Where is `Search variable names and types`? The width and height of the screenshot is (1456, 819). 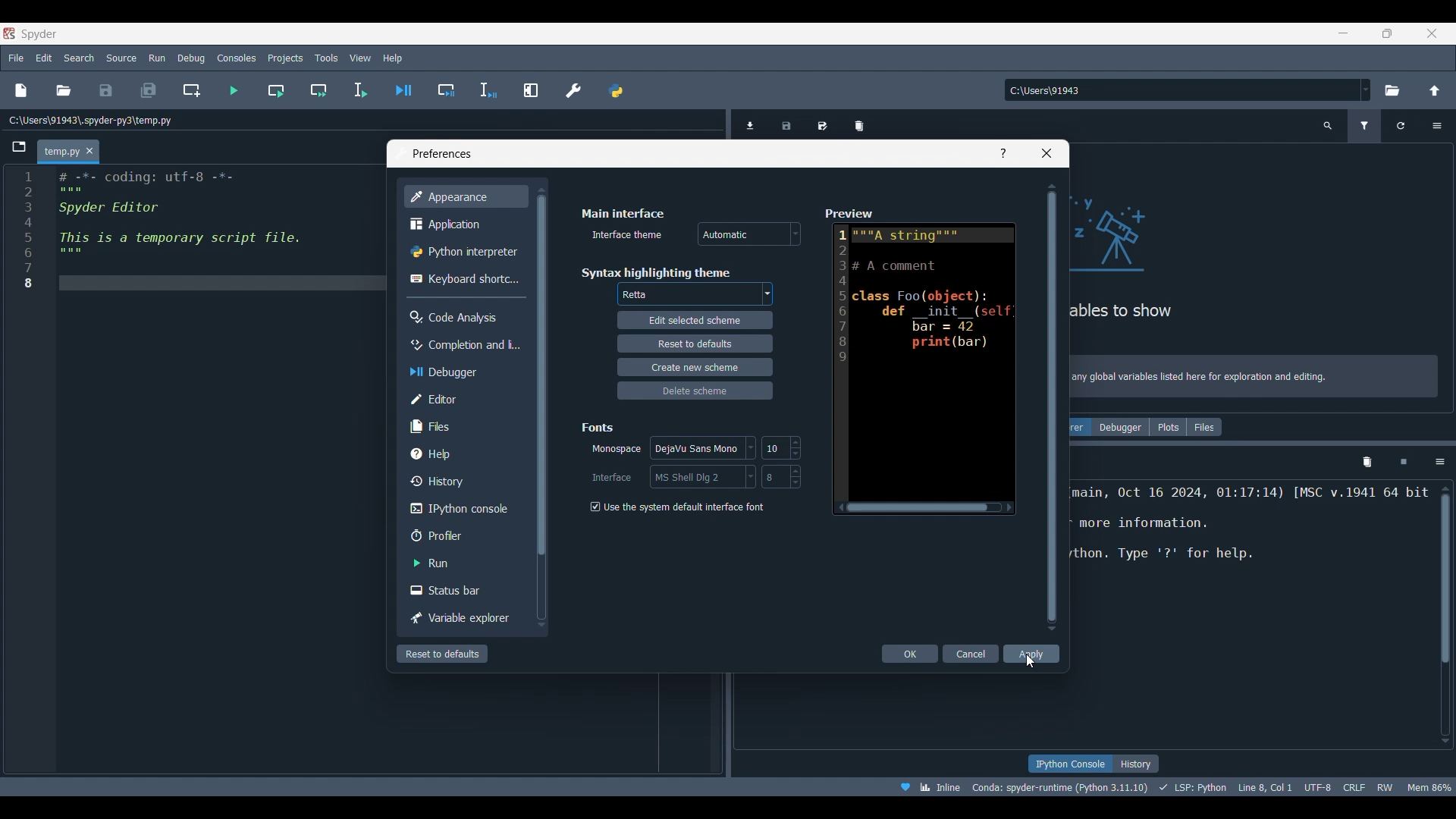
Search variable names and types is located at coordinates (1329, 126).